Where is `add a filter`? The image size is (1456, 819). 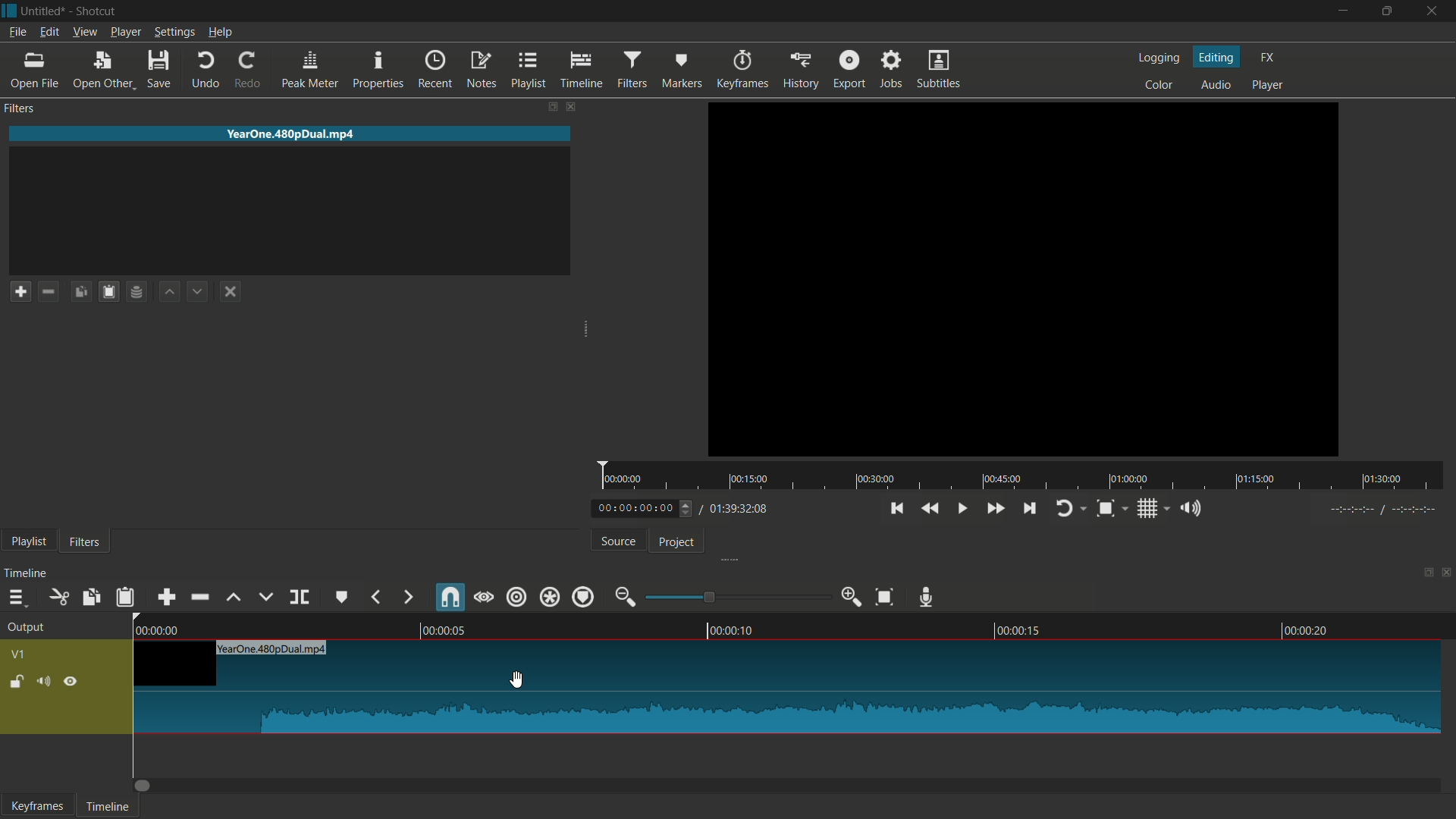 add a filter is located at coordinates (20, 292).